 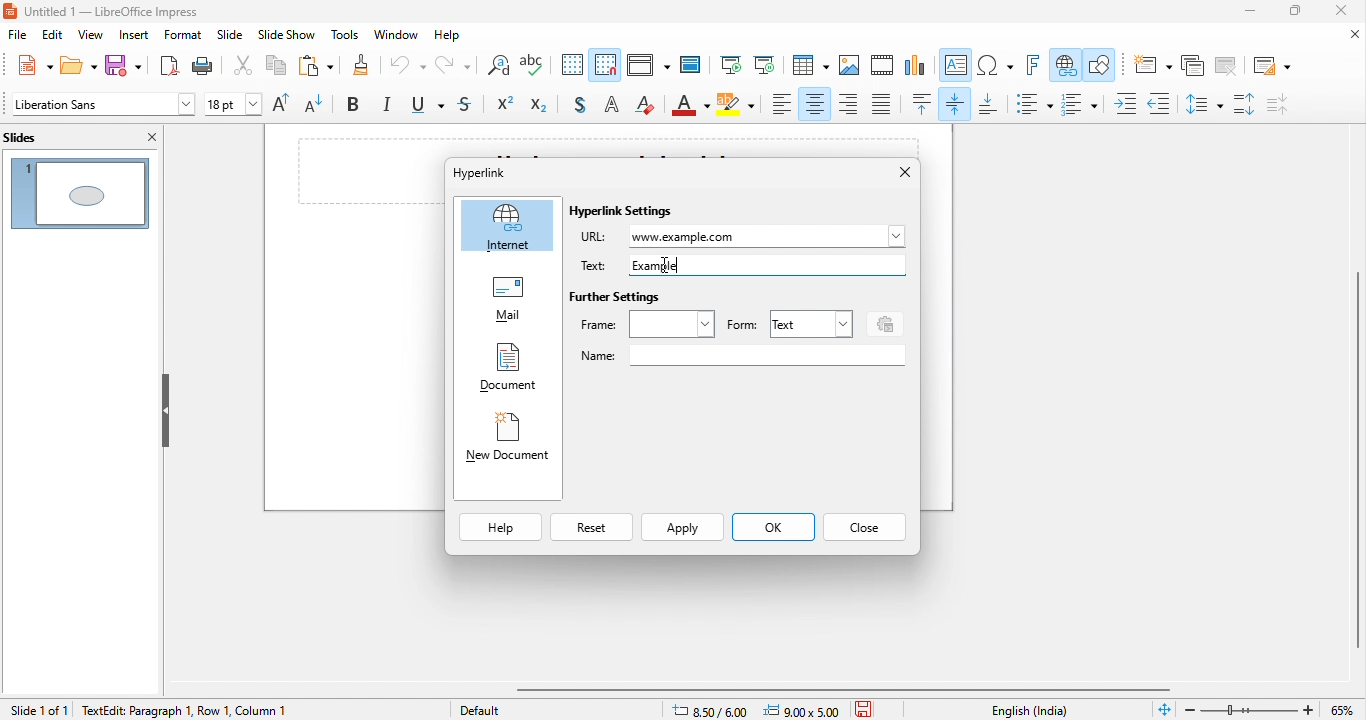 I want to click on help, so click(x=501, y=528).